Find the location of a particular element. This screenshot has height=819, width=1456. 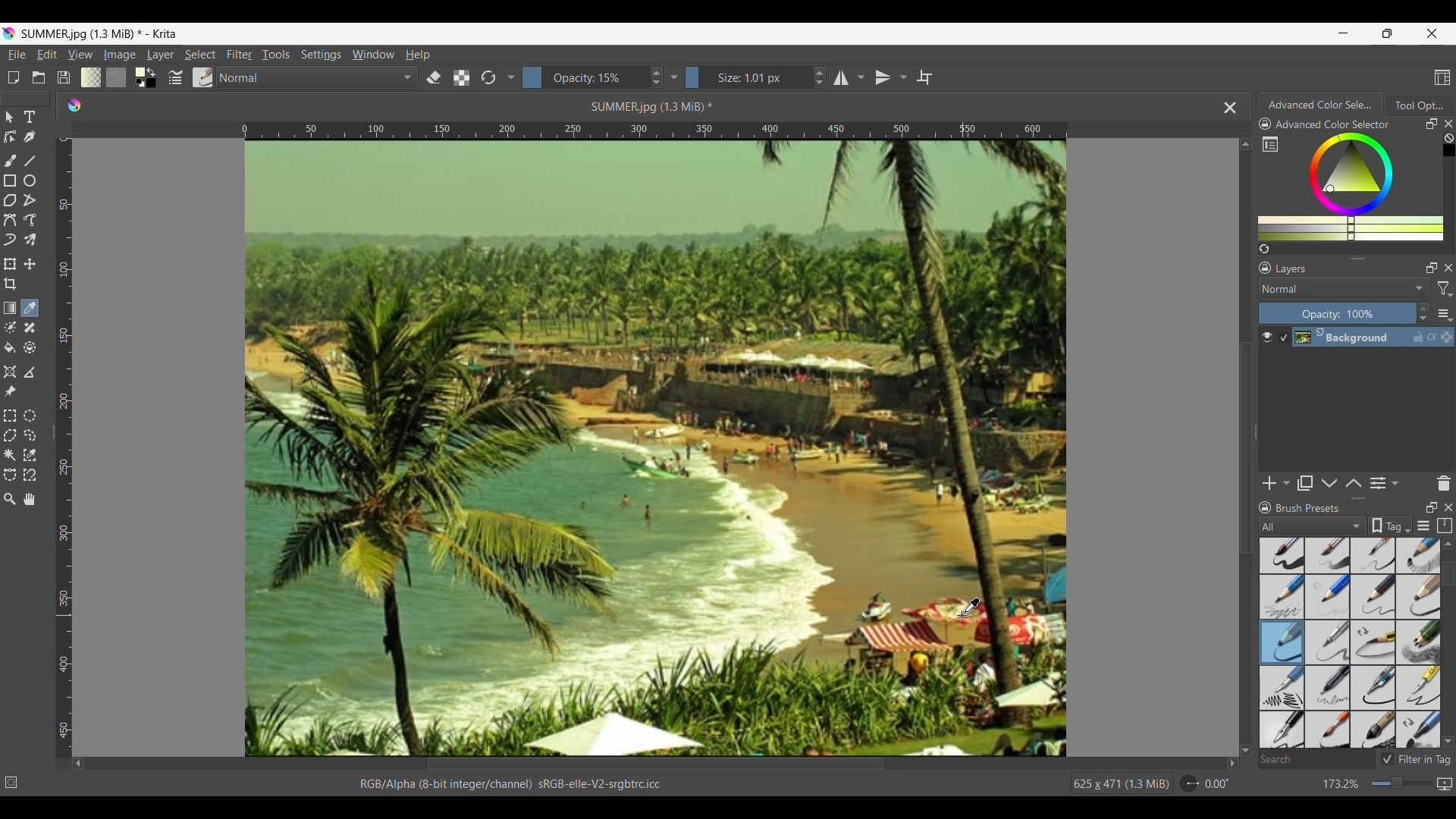

Size: 1.01 px is located at coordinates (747, 77).